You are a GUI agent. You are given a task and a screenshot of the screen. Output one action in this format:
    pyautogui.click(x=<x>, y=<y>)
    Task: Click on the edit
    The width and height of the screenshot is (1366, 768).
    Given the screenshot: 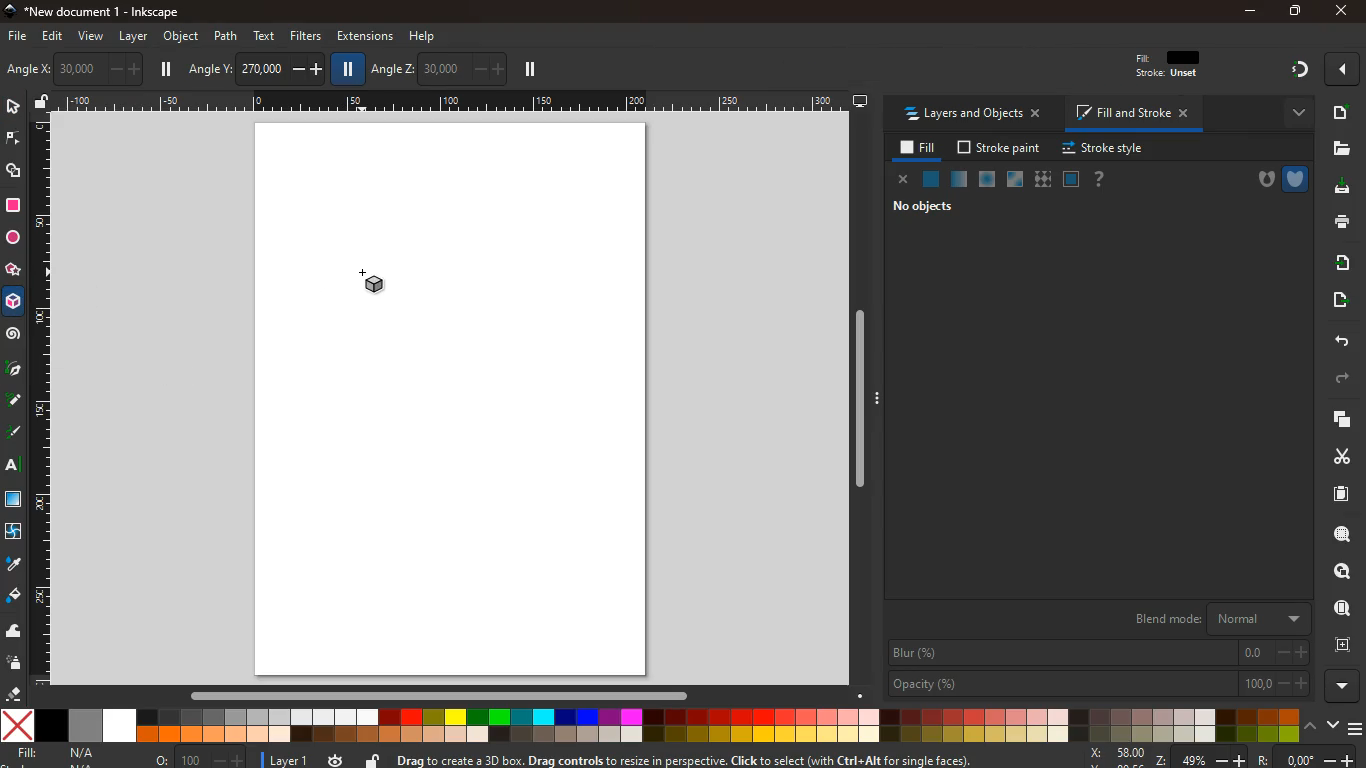 What is the action you would take?
    pyautogui.click(x=57, y=38)
    